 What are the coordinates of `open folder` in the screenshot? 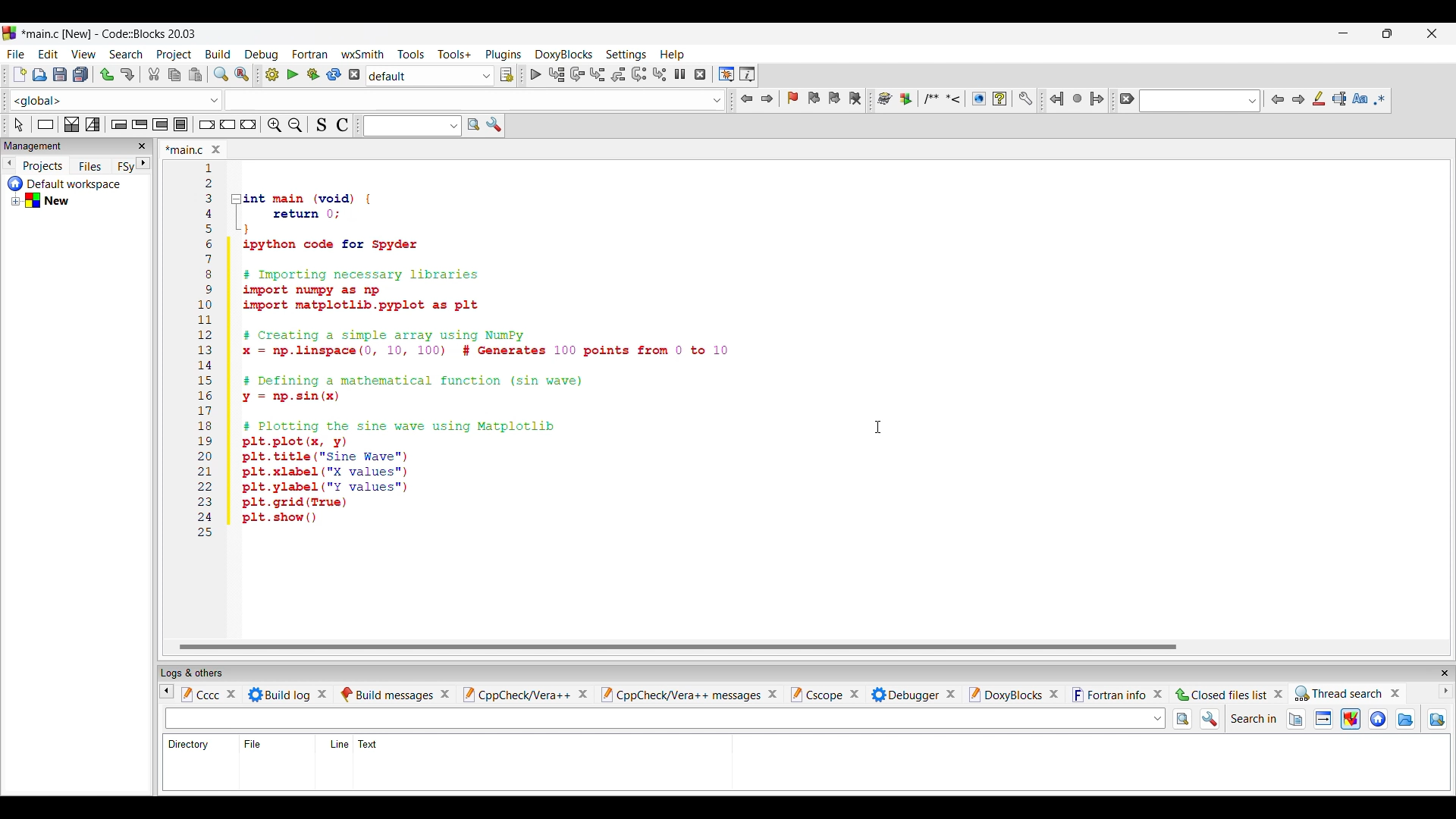 It's located at (1404, 720).